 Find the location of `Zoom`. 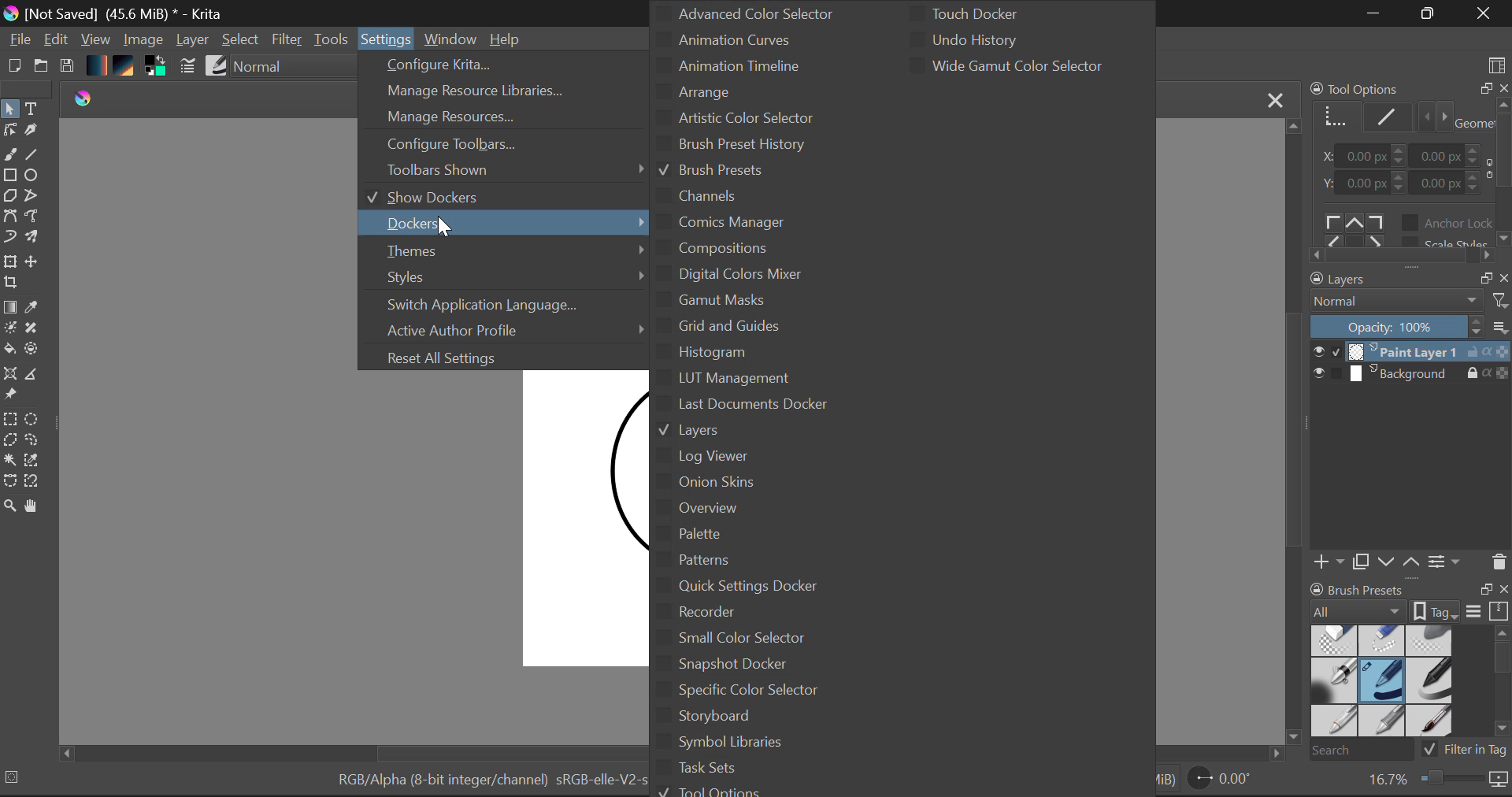

Zoom is located at coordinates (1436, 780).